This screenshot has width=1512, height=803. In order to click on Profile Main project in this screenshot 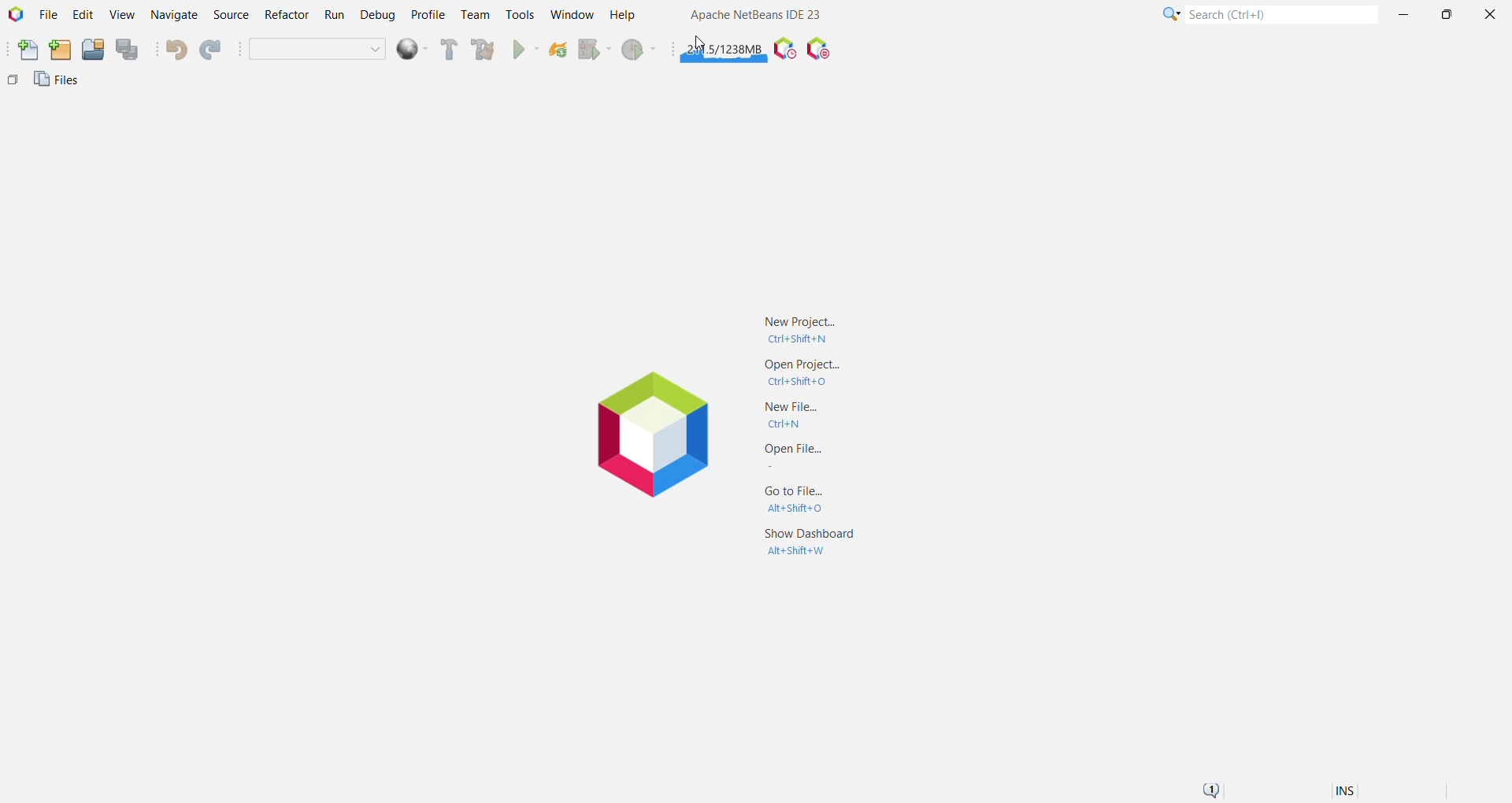, I will do `click(640, 51)`.